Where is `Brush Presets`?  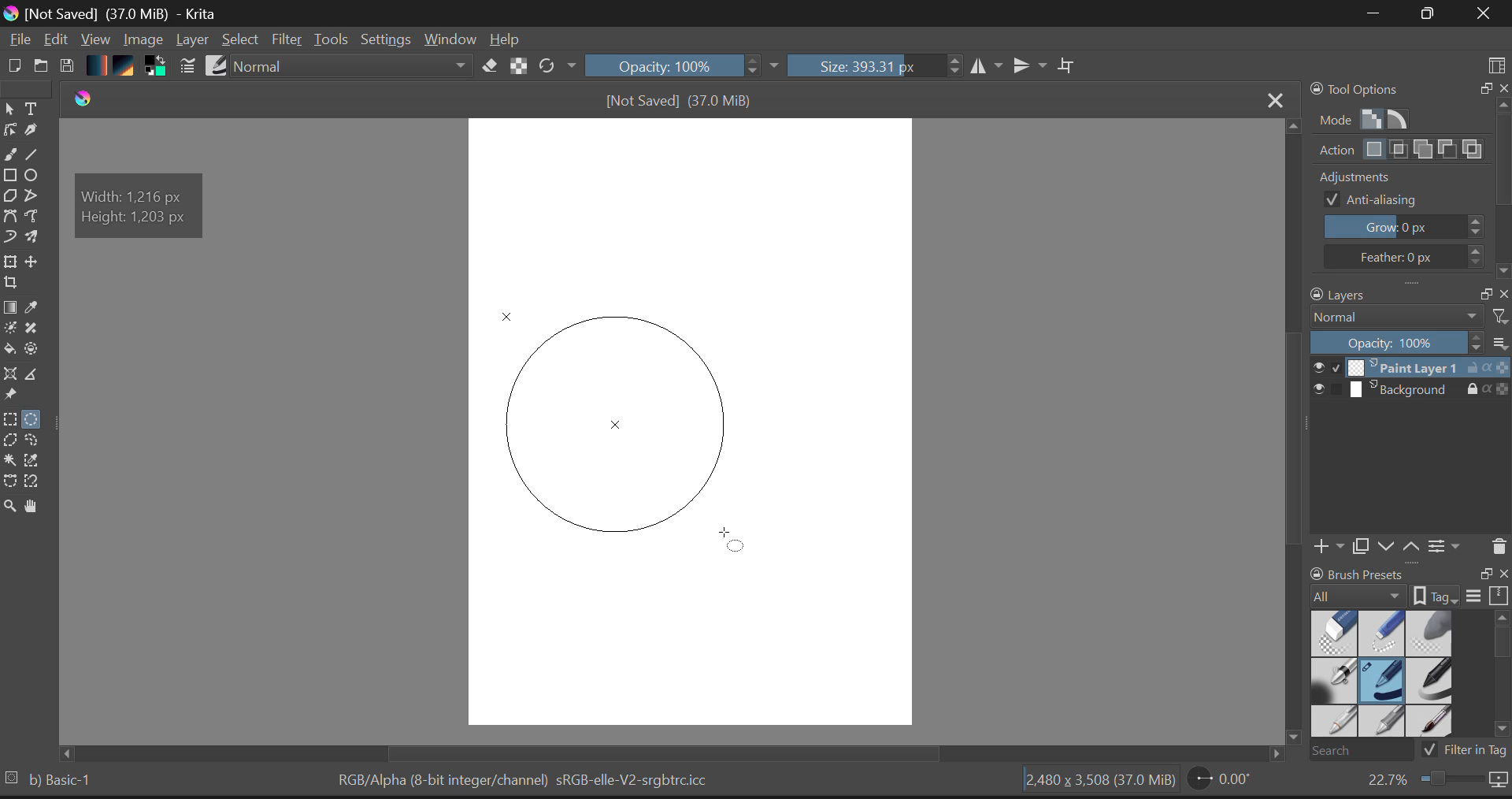 Brush Presets is located at coordinates (218, 65).